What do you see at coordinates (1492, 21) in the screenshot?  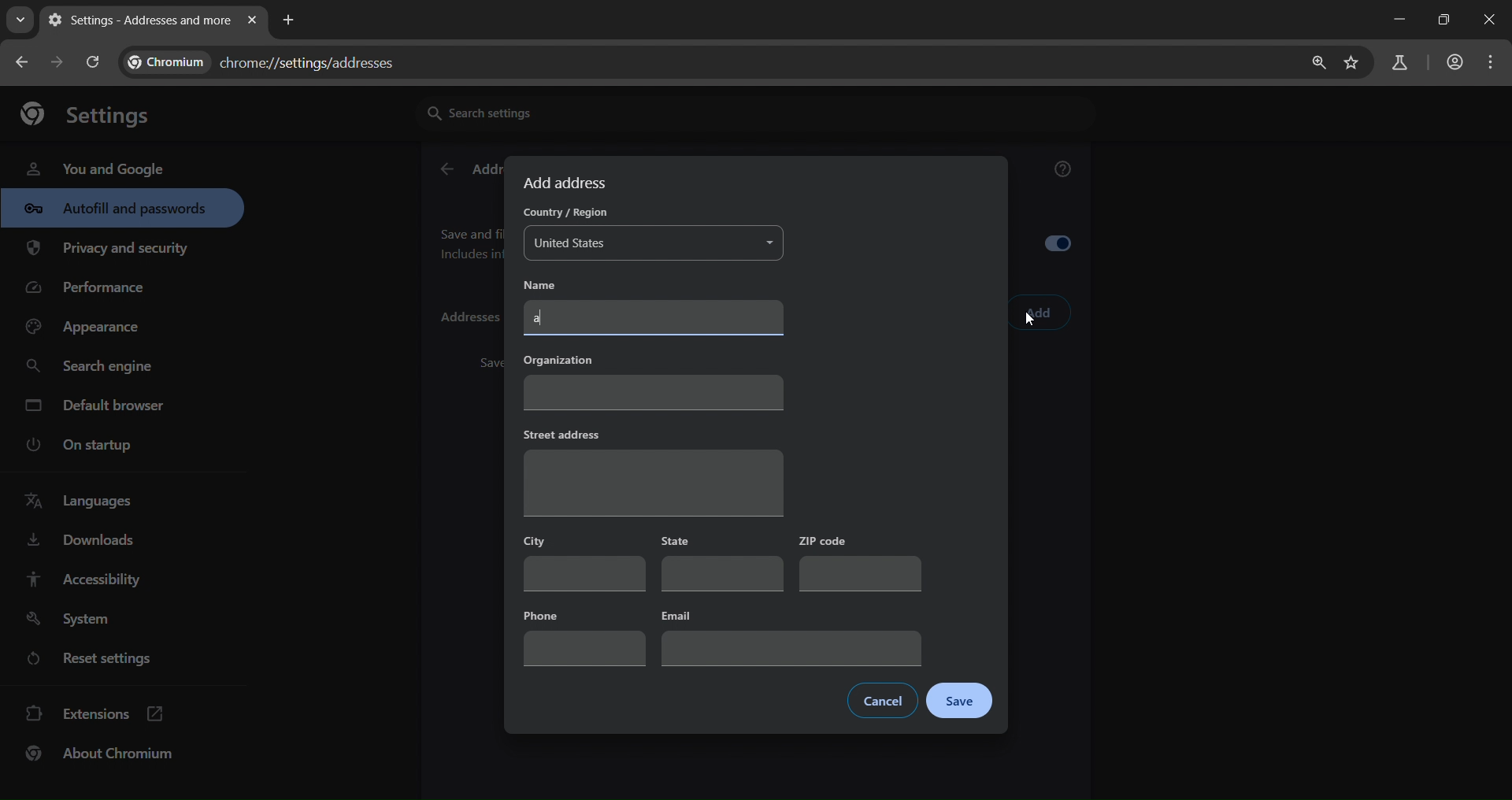 I see `close` at bounding box center [1492, 21].